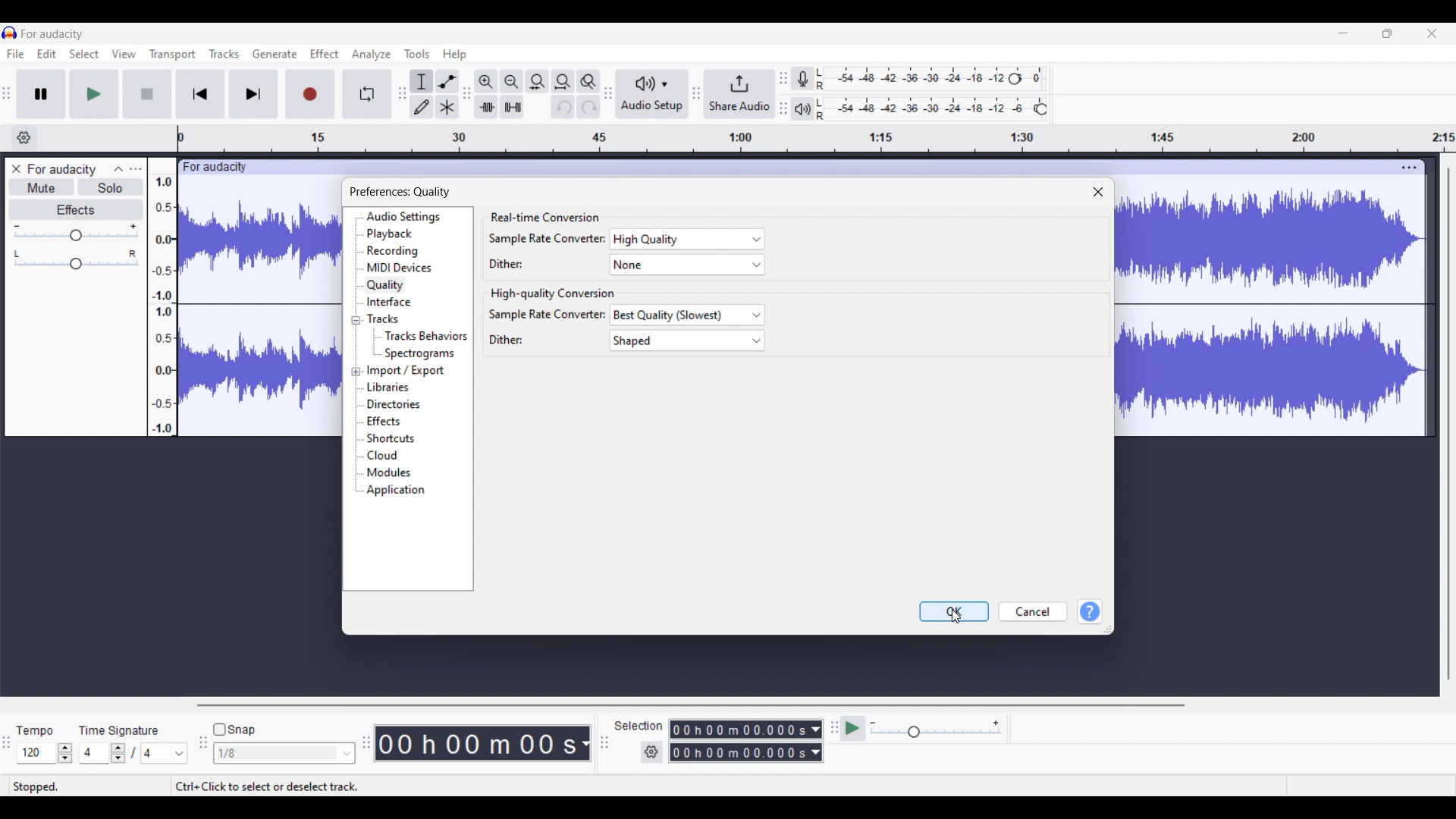 The width and height of the screenshot is (1456, 819). What do you see at coordinates (1344, 33) in the screenshot?
I see `Minimize` at bounding box center [1344, 33].